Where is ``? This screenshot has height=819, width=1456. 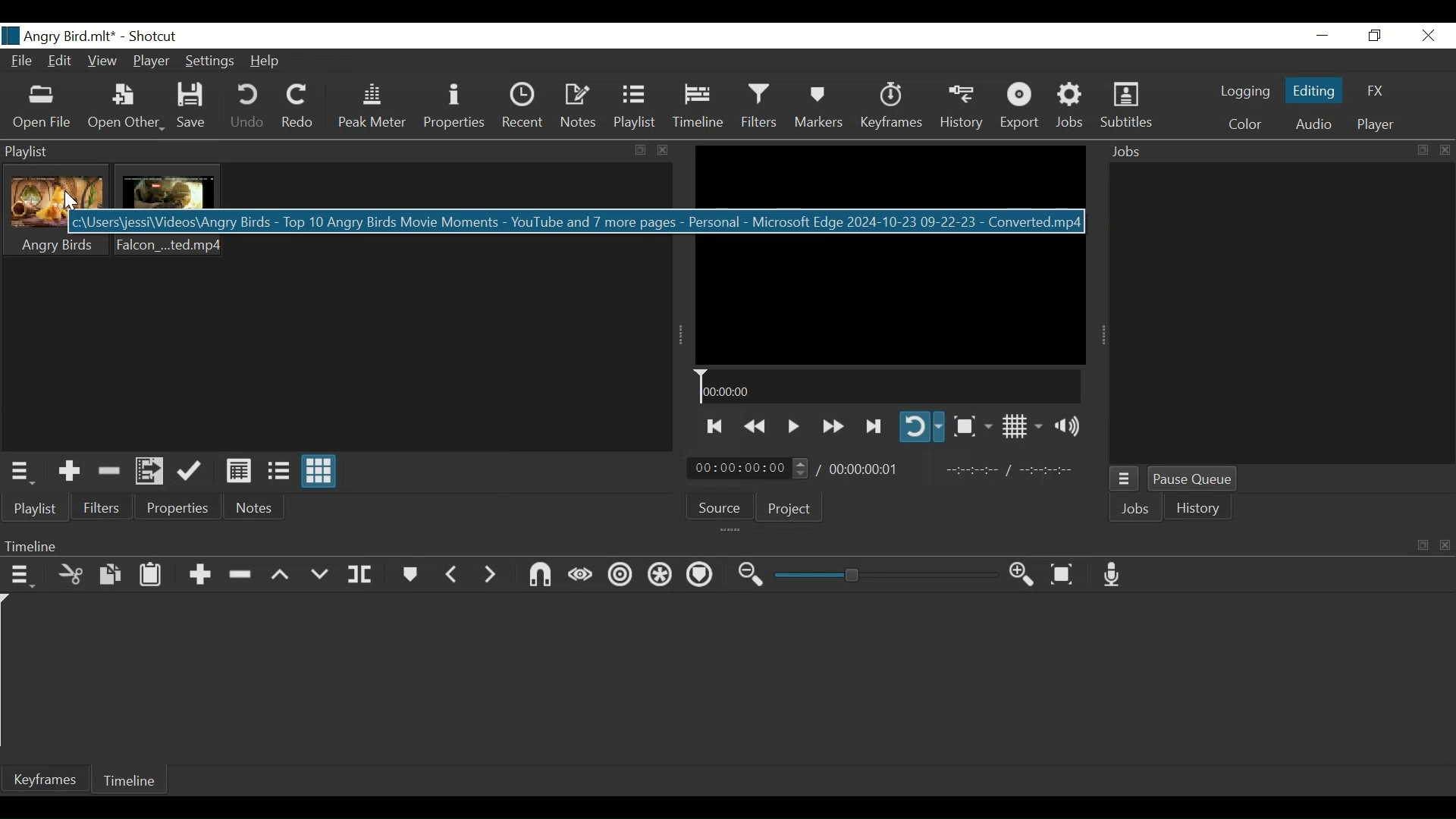
 is located at coordinates (729, 544).